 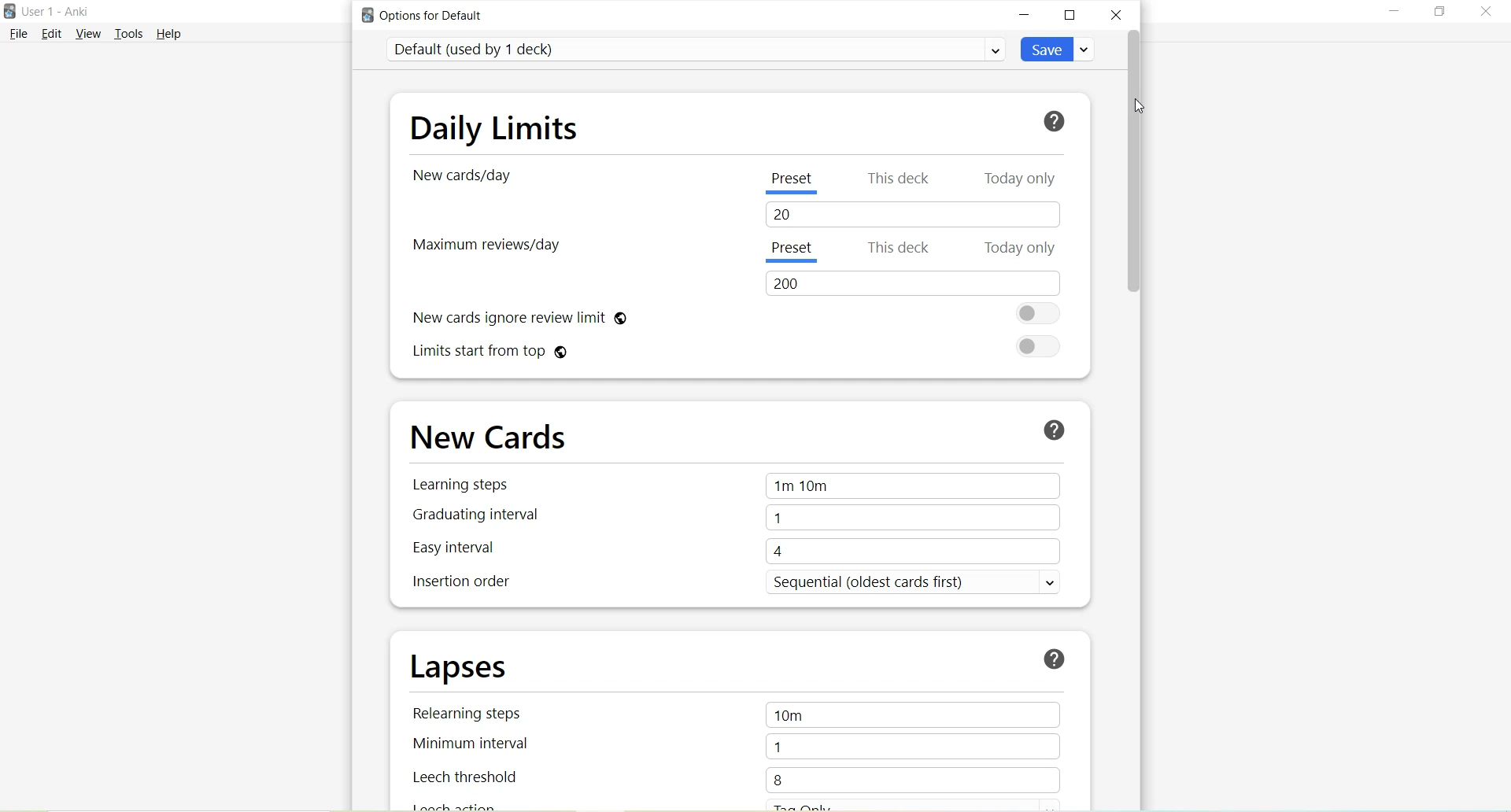 I want to click on Maximize, so click(x=1439, y=12).